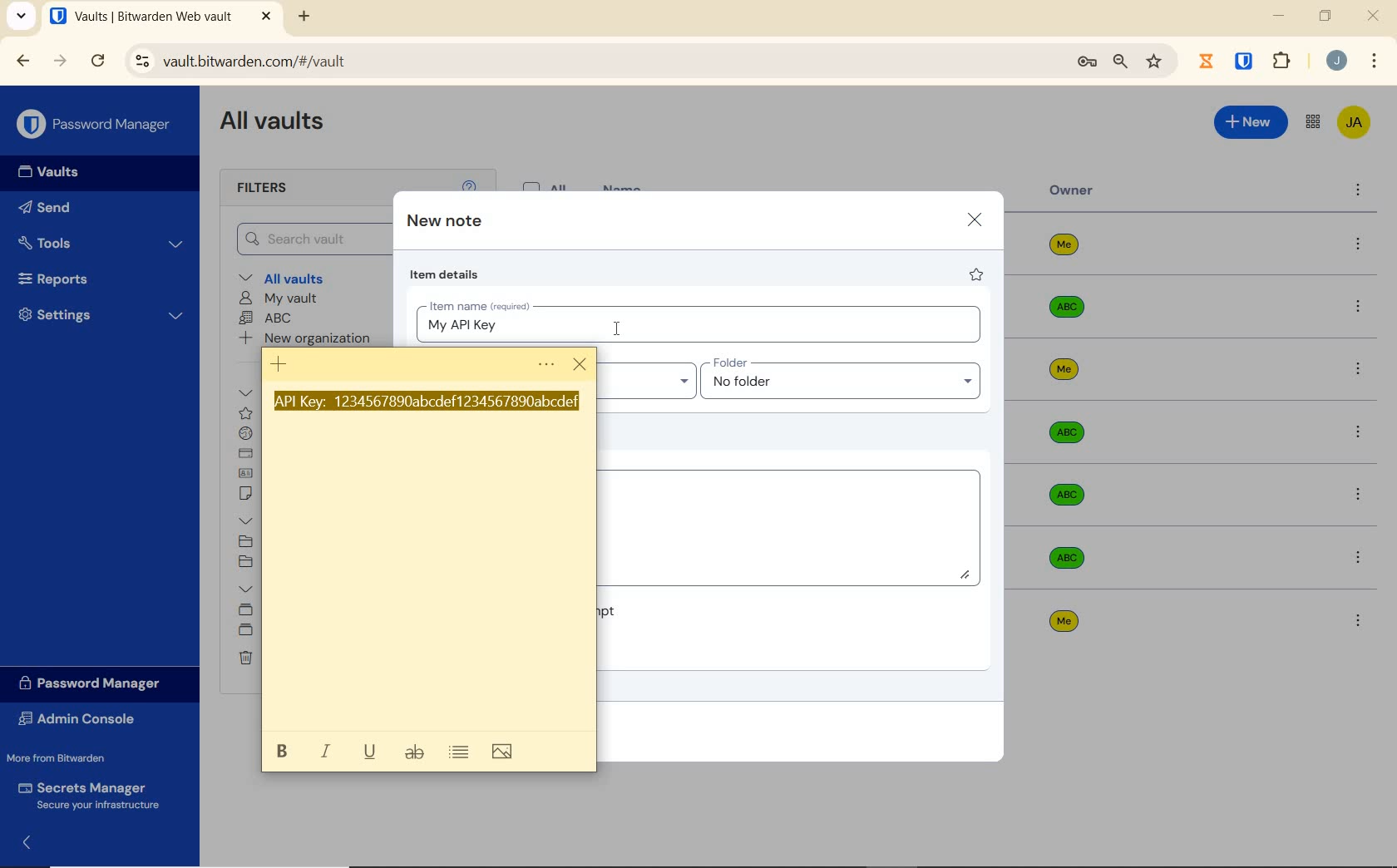 The image size is (1397, 868). What do you see at coordinates (1245, 62) in the screenshot?
I see `BITWARDEN` at bounding box center [1245, 62].